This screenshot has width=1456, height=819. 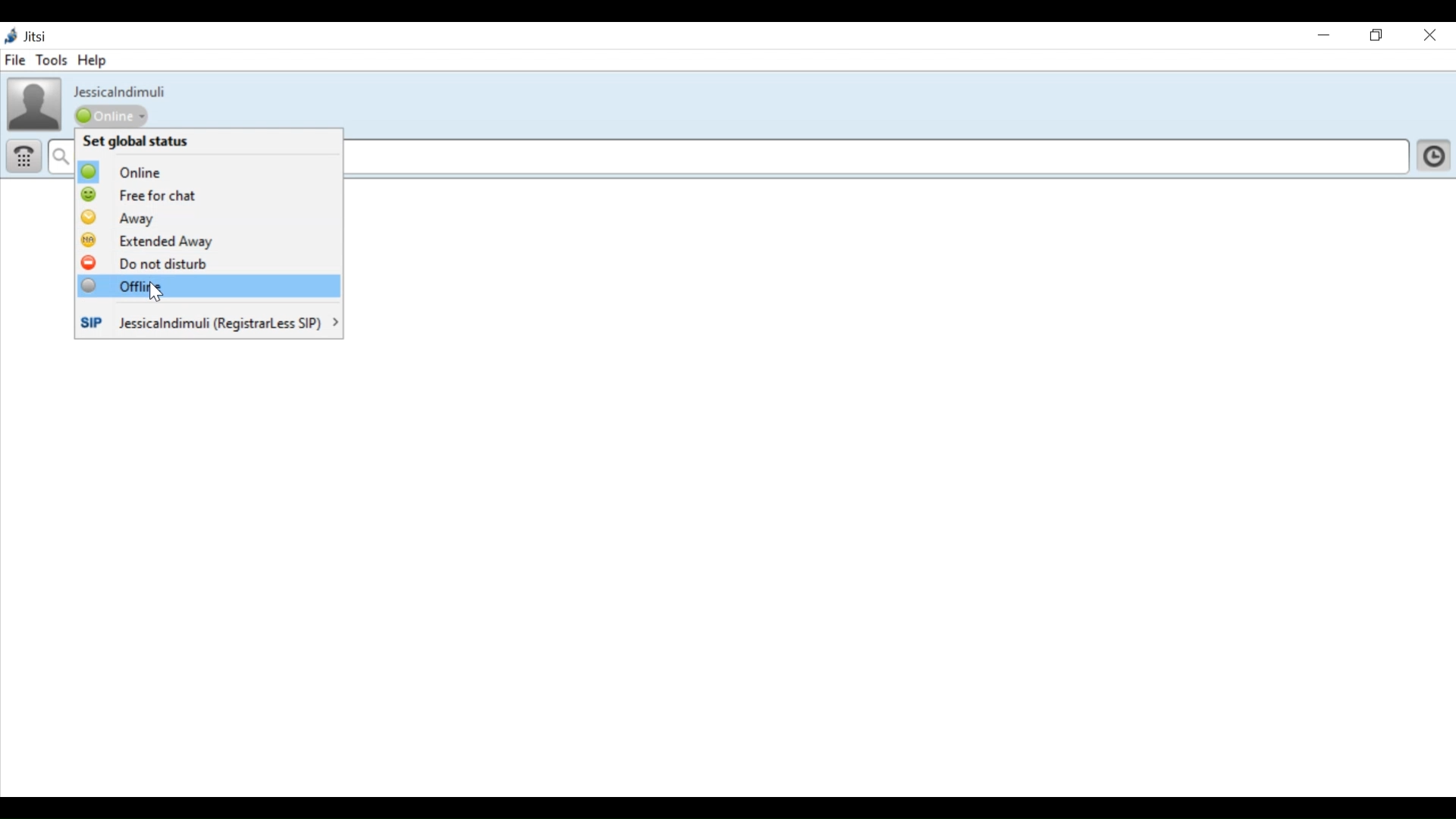 I want to click on ID name, so click(x=118, y=91).